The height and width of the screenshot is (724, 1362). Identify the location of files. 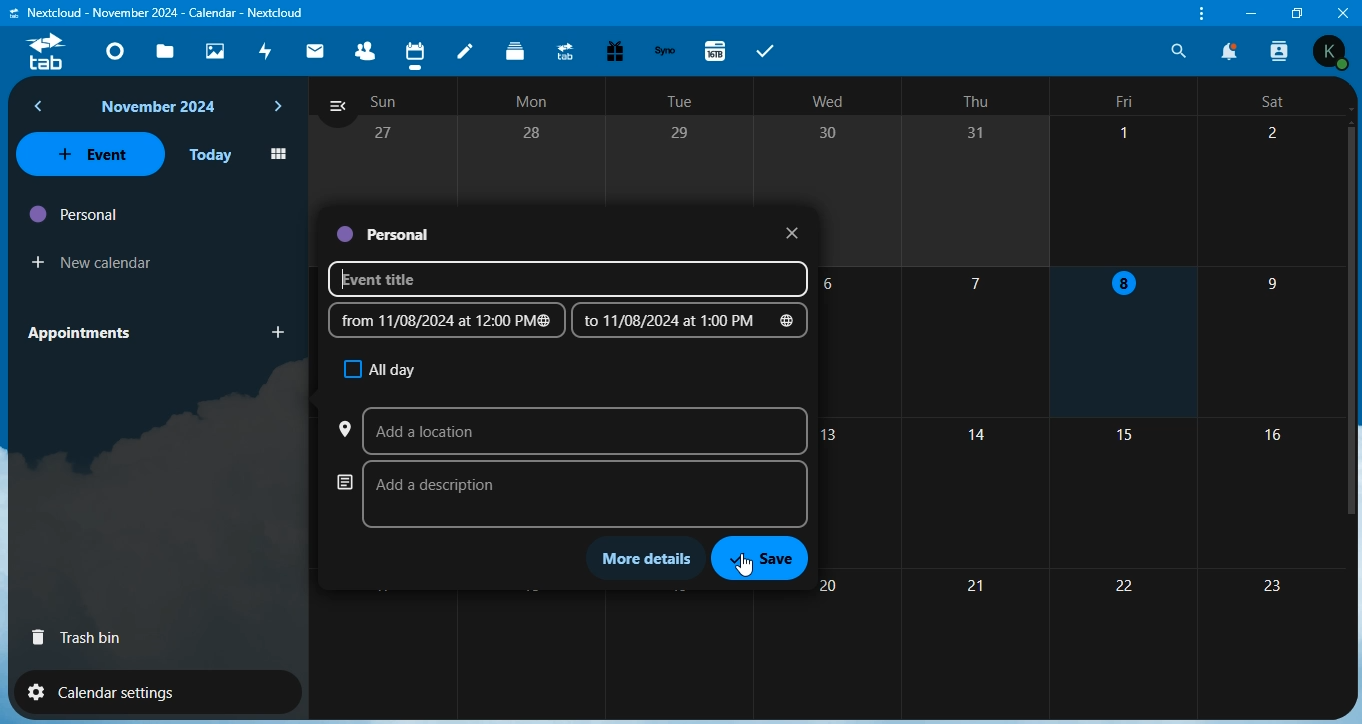
(167, 51).